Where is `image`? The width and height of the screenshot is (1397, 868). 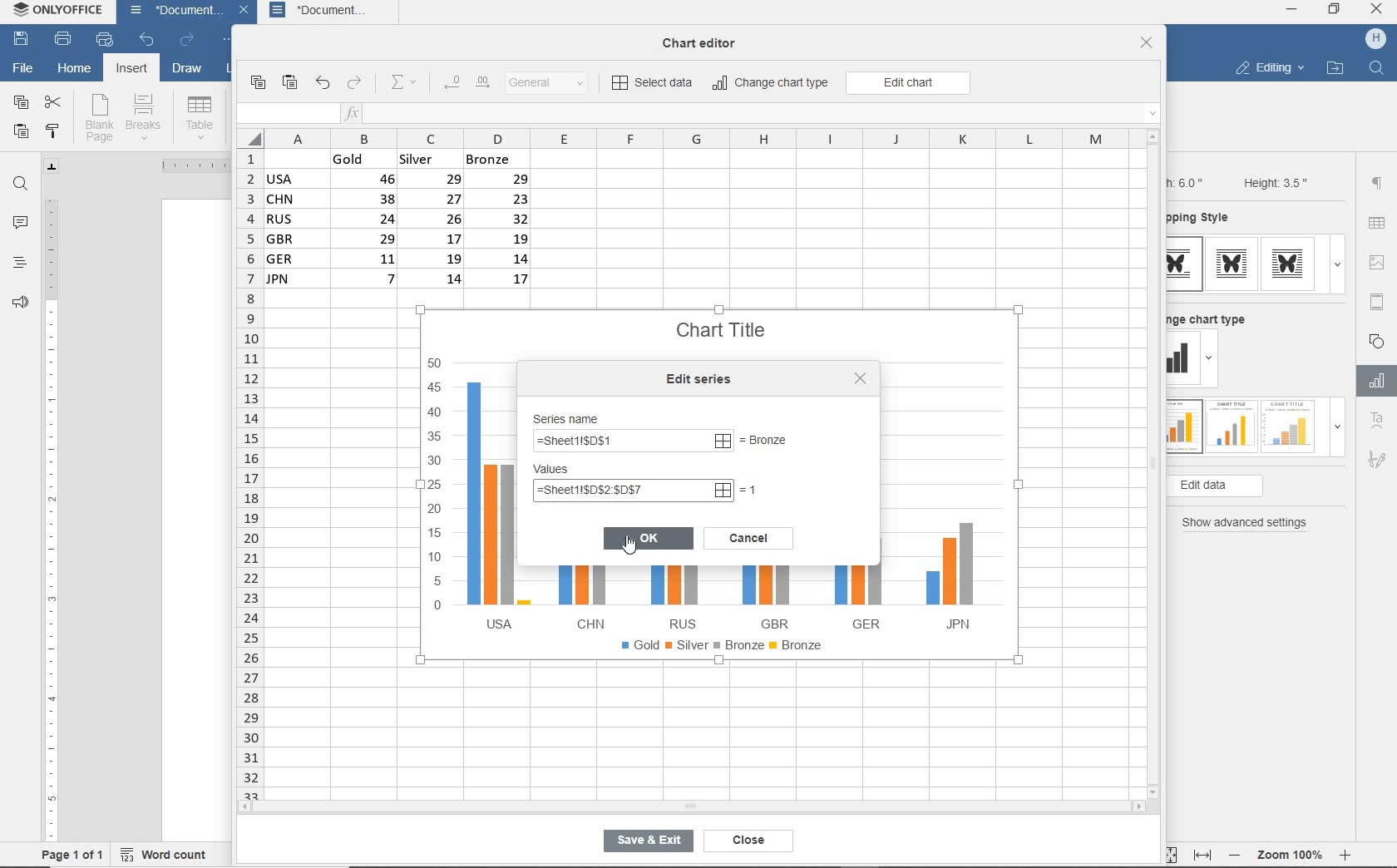
image is located at coordinates (1380, 262).